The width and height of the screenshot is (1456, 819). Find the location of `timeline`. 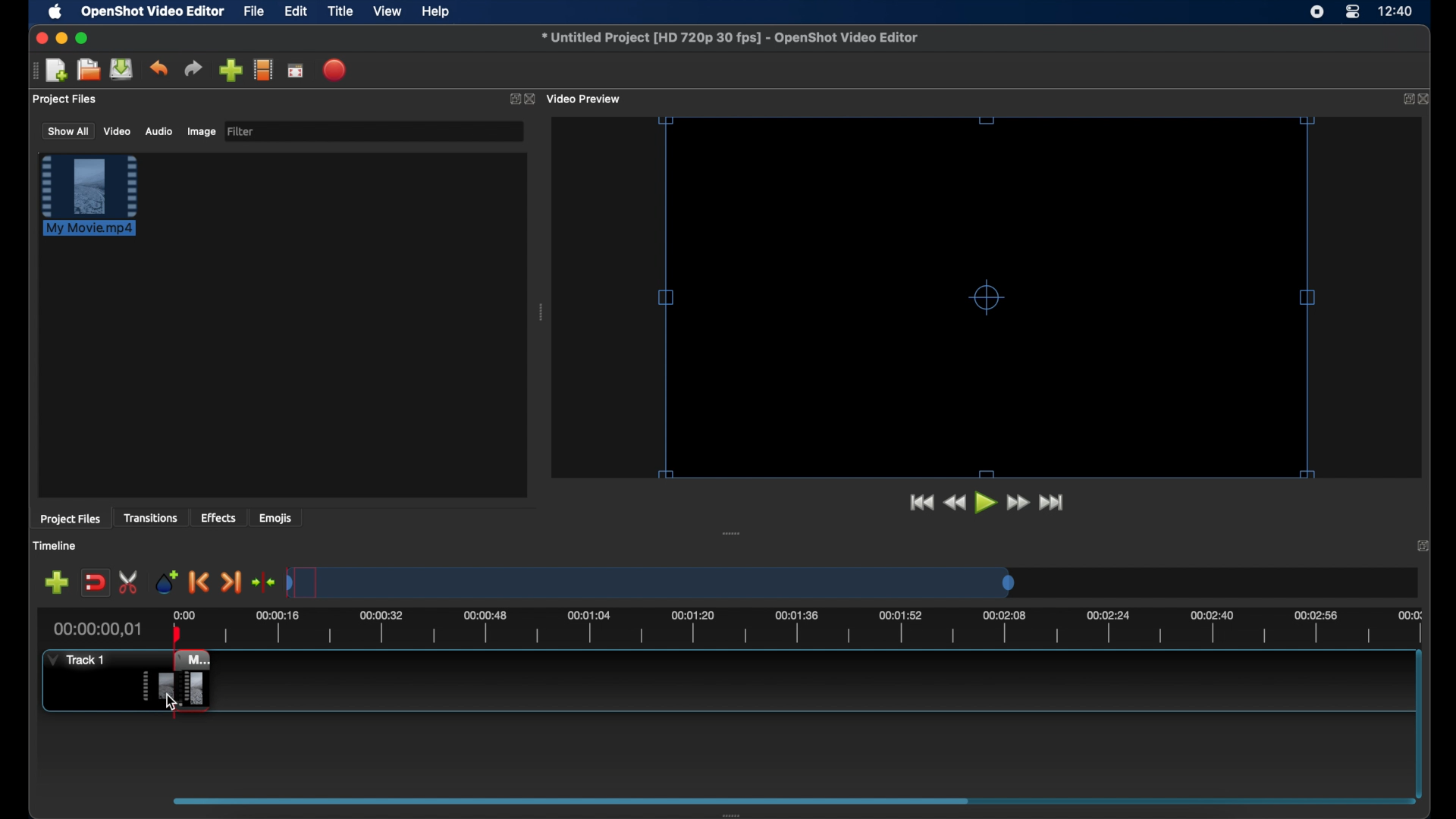

timeline is located at coordinates (57, 547).